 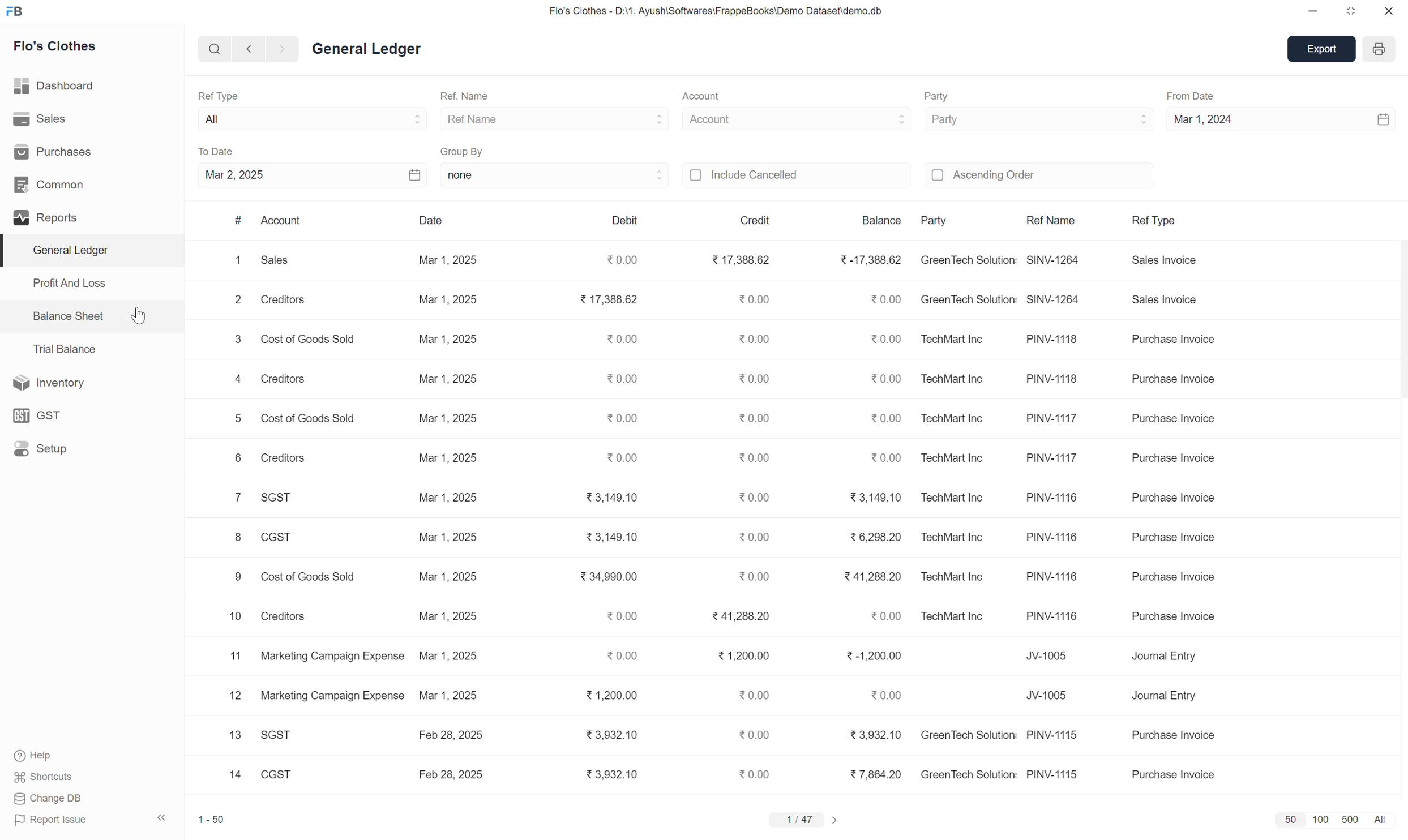 What do you see at coordinates (1046, 655) in the screenshot?
I see `JV 1005` at bounding box center [1046, 655].